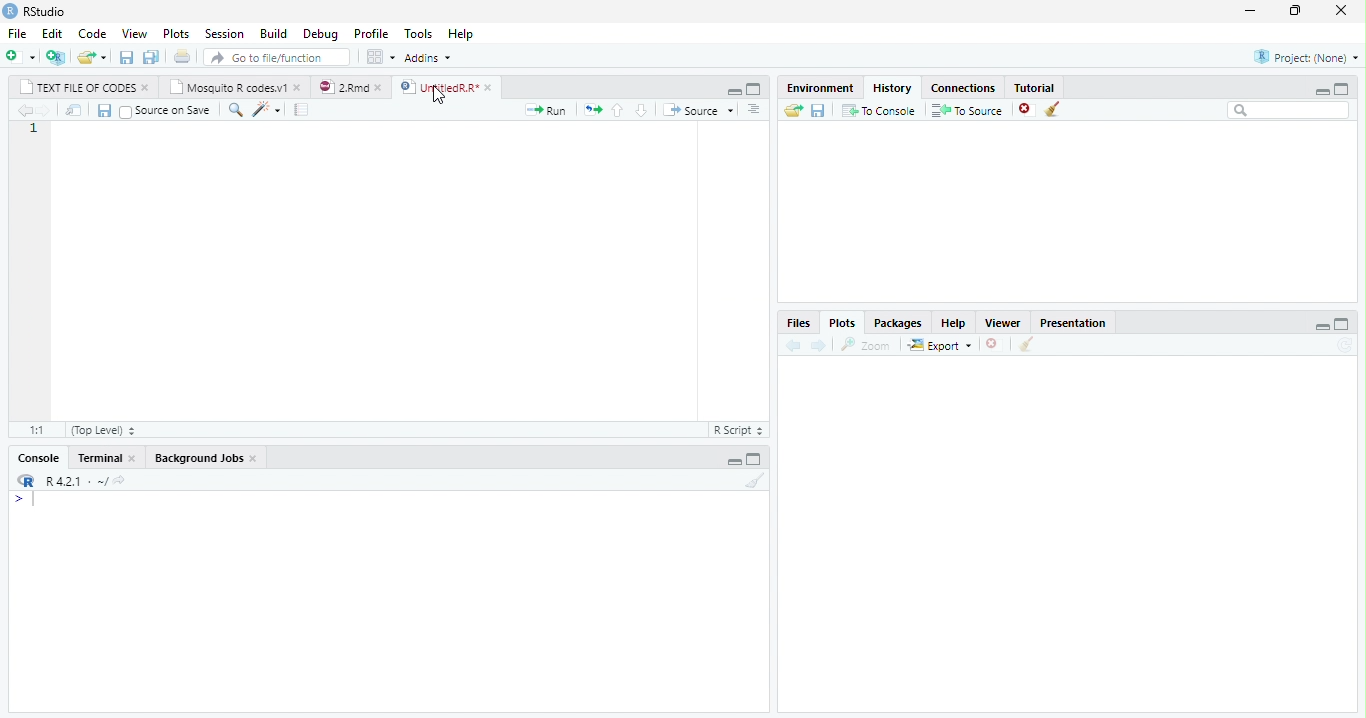 Image resolution: width=1366 pixels, height=718 pixels. Describe the element at coordinates (380, 88) in the screenshot. I see `close` at that location.